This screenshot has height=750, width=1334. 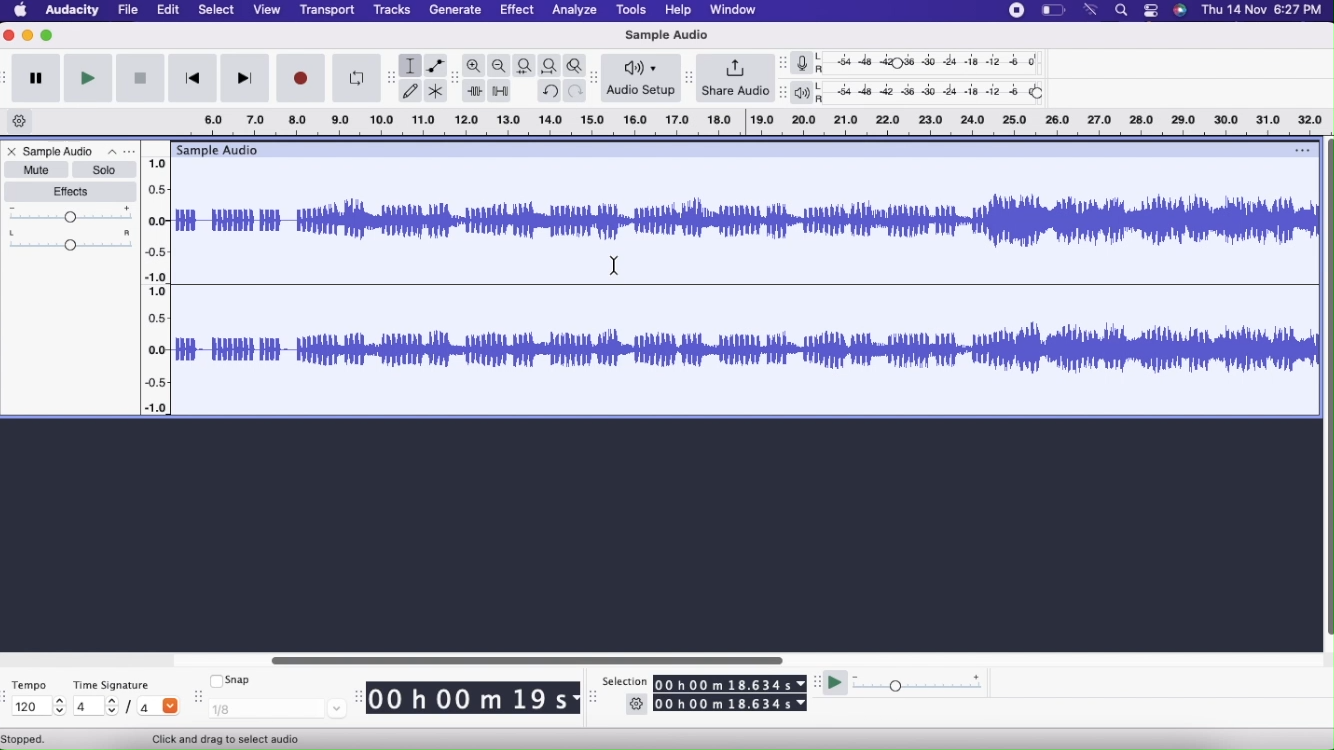 What do you see at coordinates (1017, 10) in the screenshot?
I see `stop` at bounding box center [1017, 10].